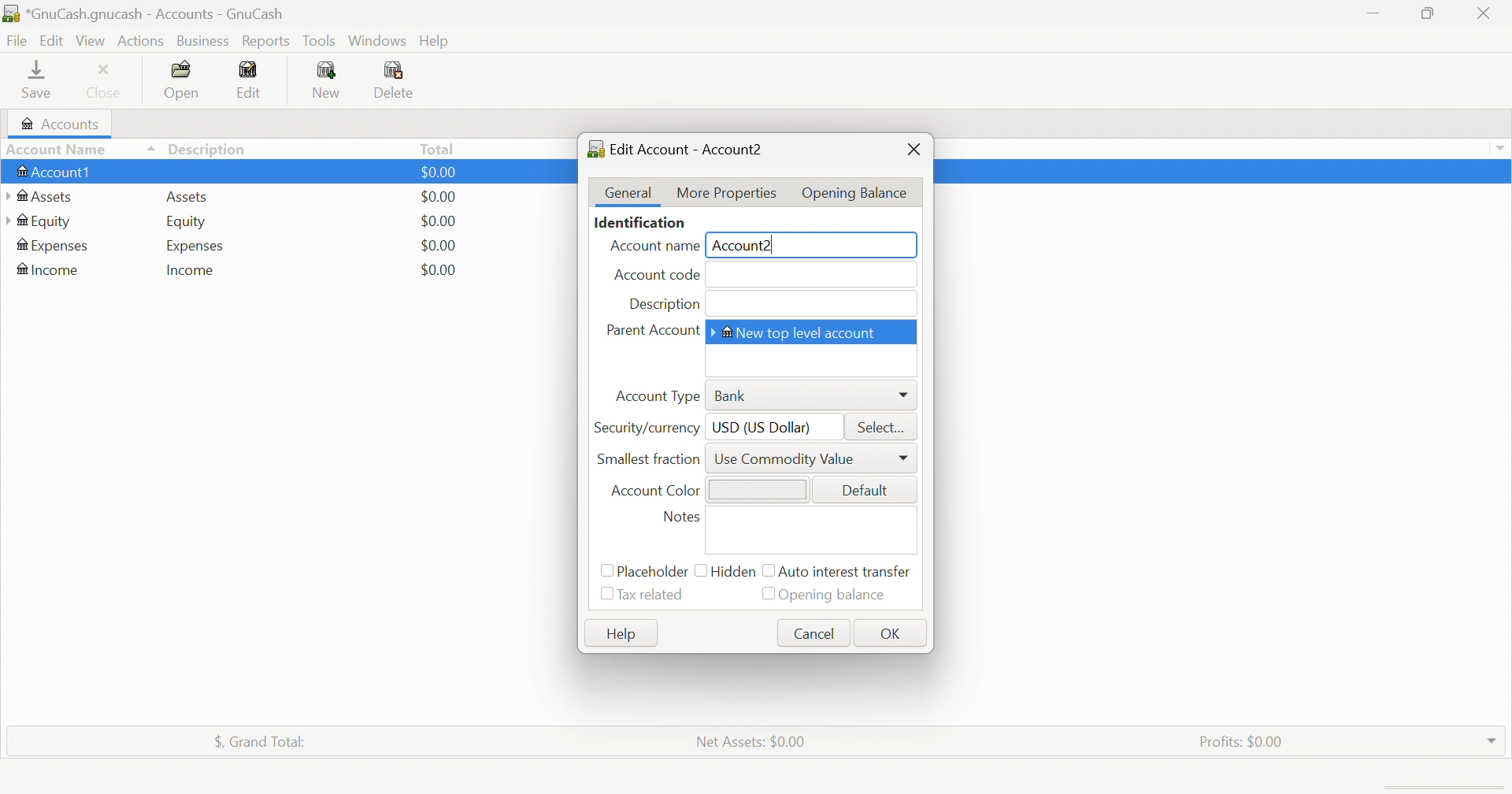 This screenshot has width=1512, height=794. Describe the element at coordinates (56, 173) in the screenshot. I see `Account1` at that location.